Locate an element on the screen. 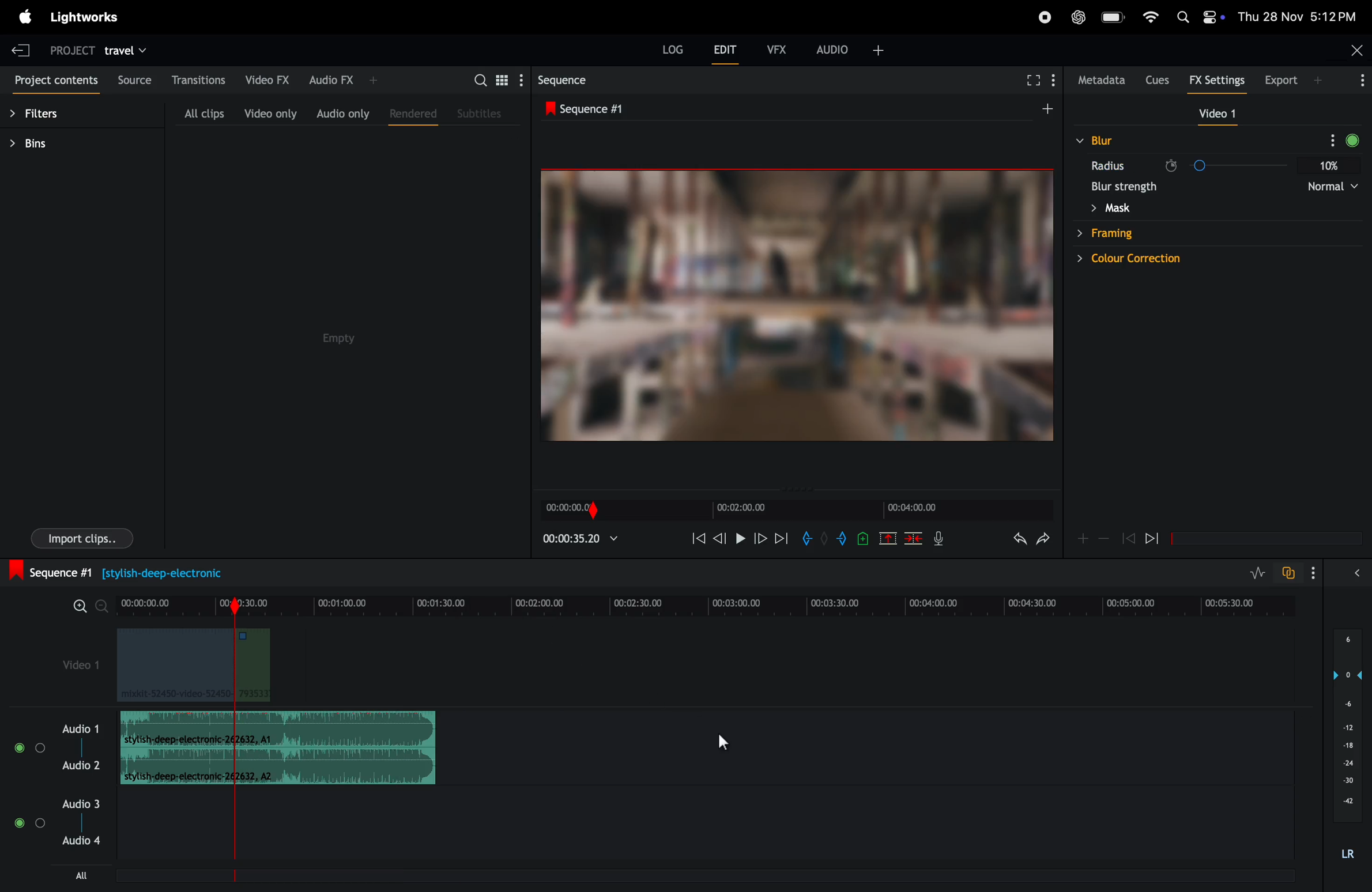  next mark is located at coordinates (782, 538).